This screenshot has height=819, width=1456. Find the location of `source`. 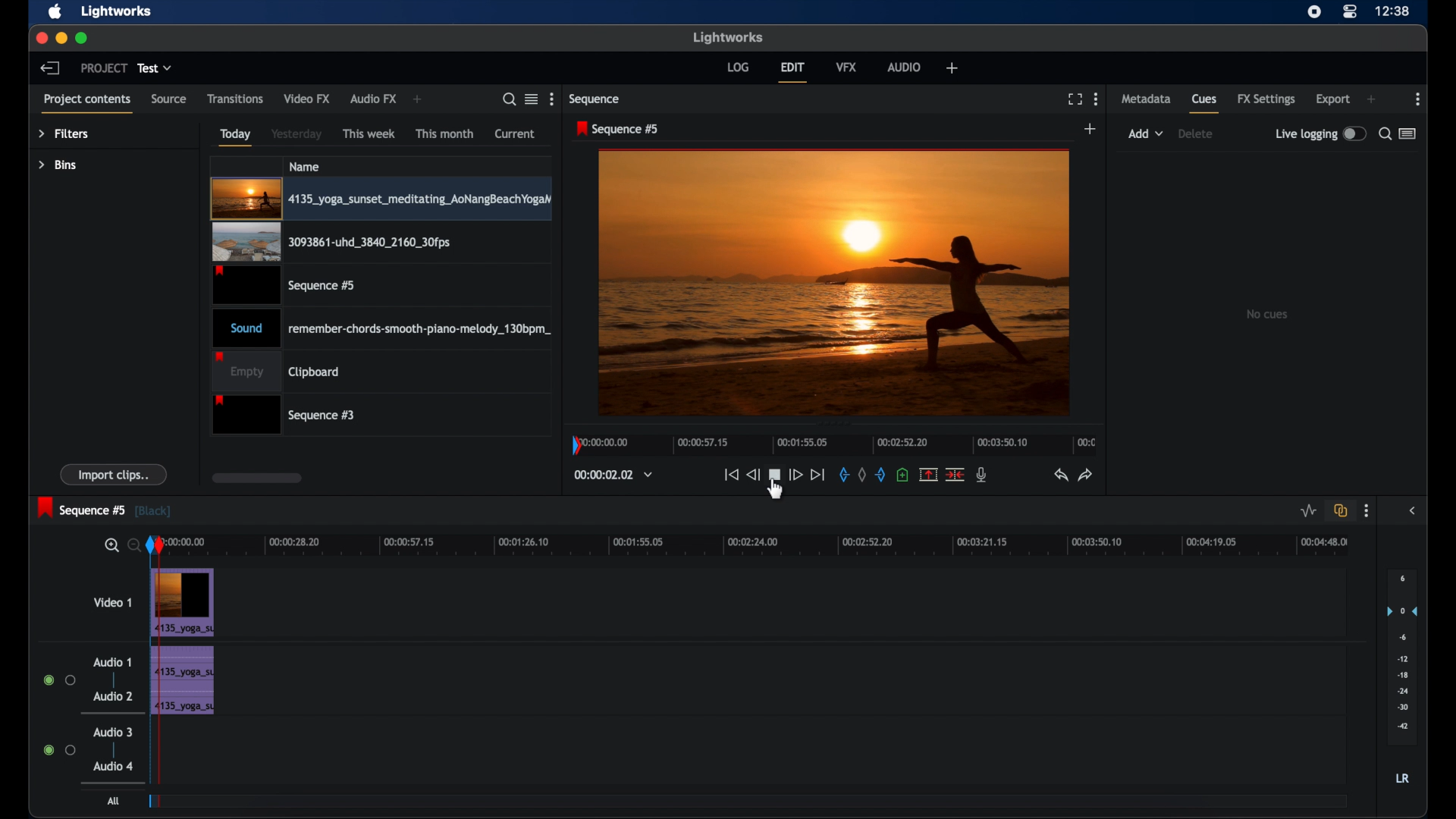

source is located at coordinates (168, 99).